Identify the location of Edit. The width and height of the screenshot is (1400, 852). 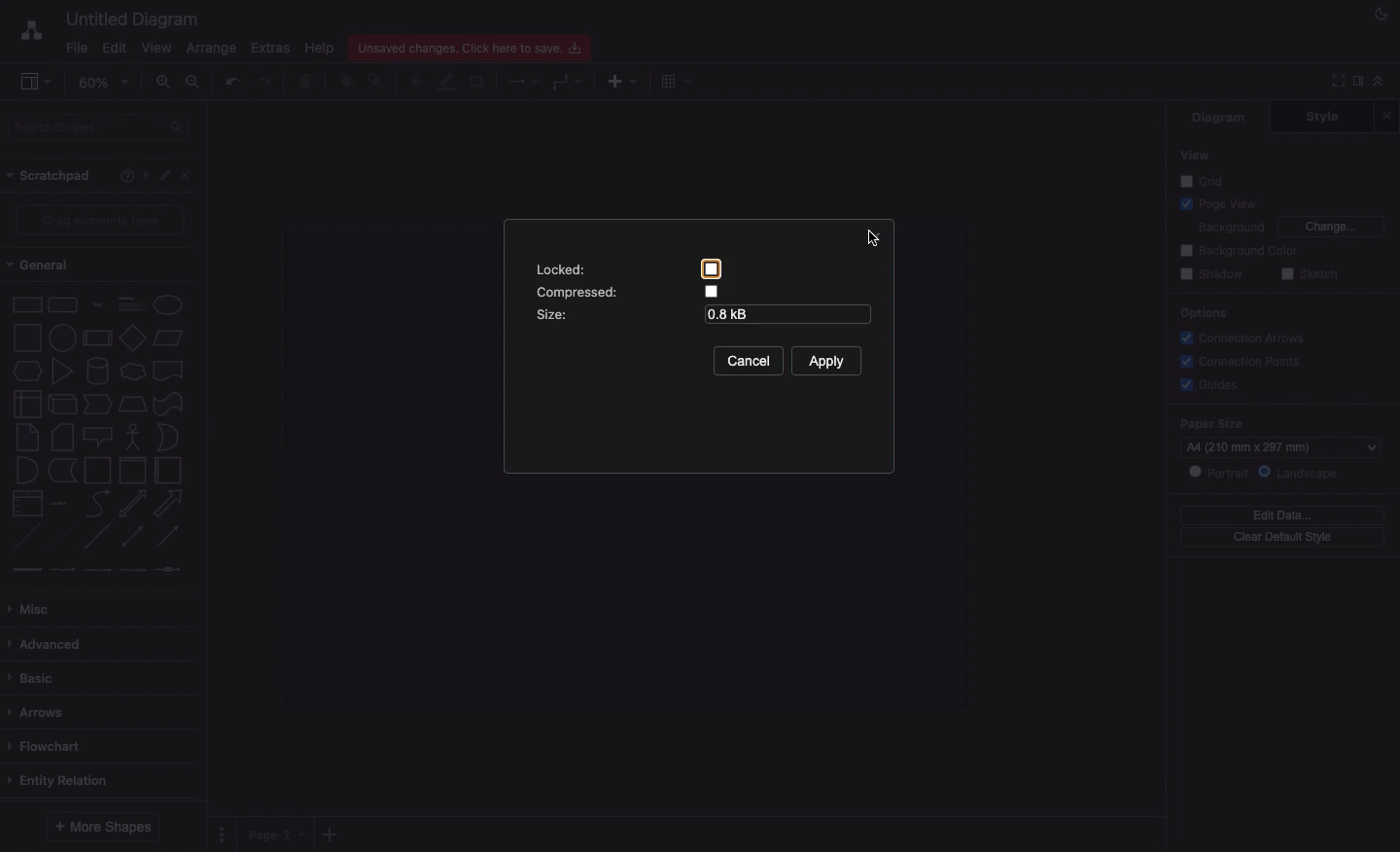
(163, 175).